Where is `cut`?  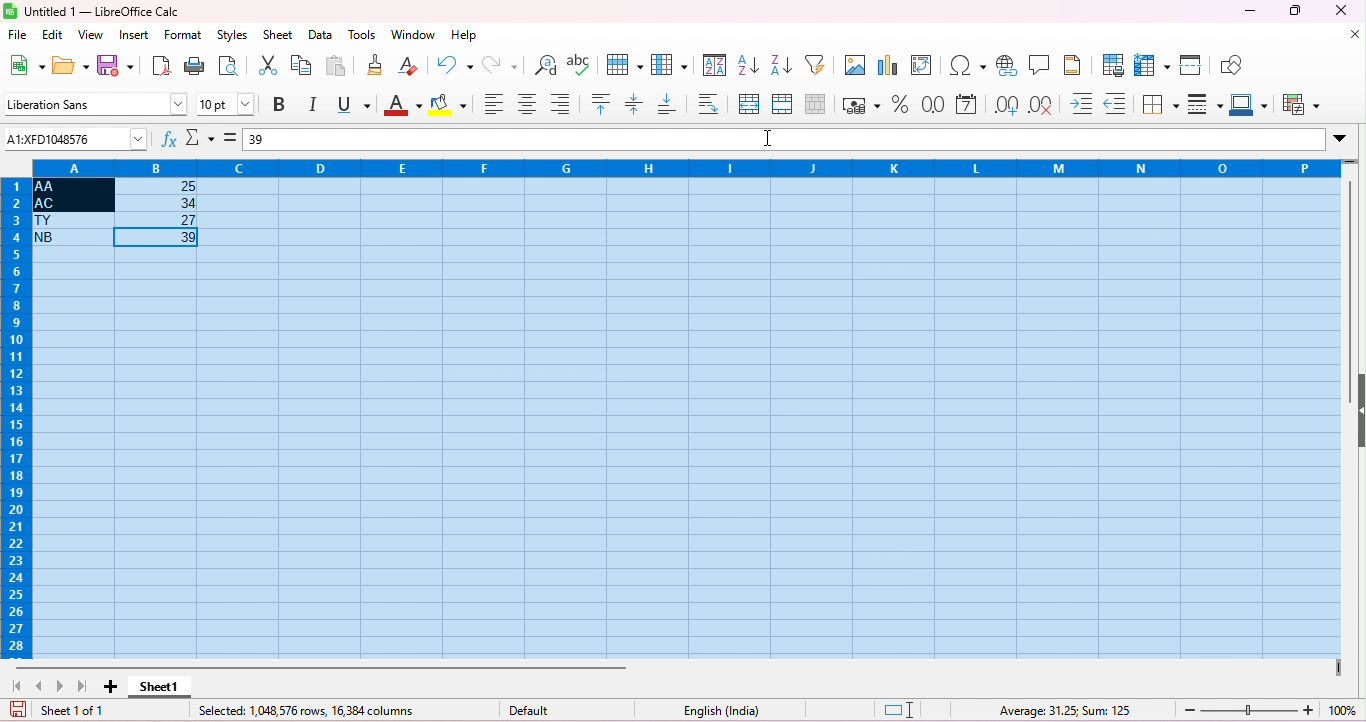 cut is located at coordinates (270, 64).